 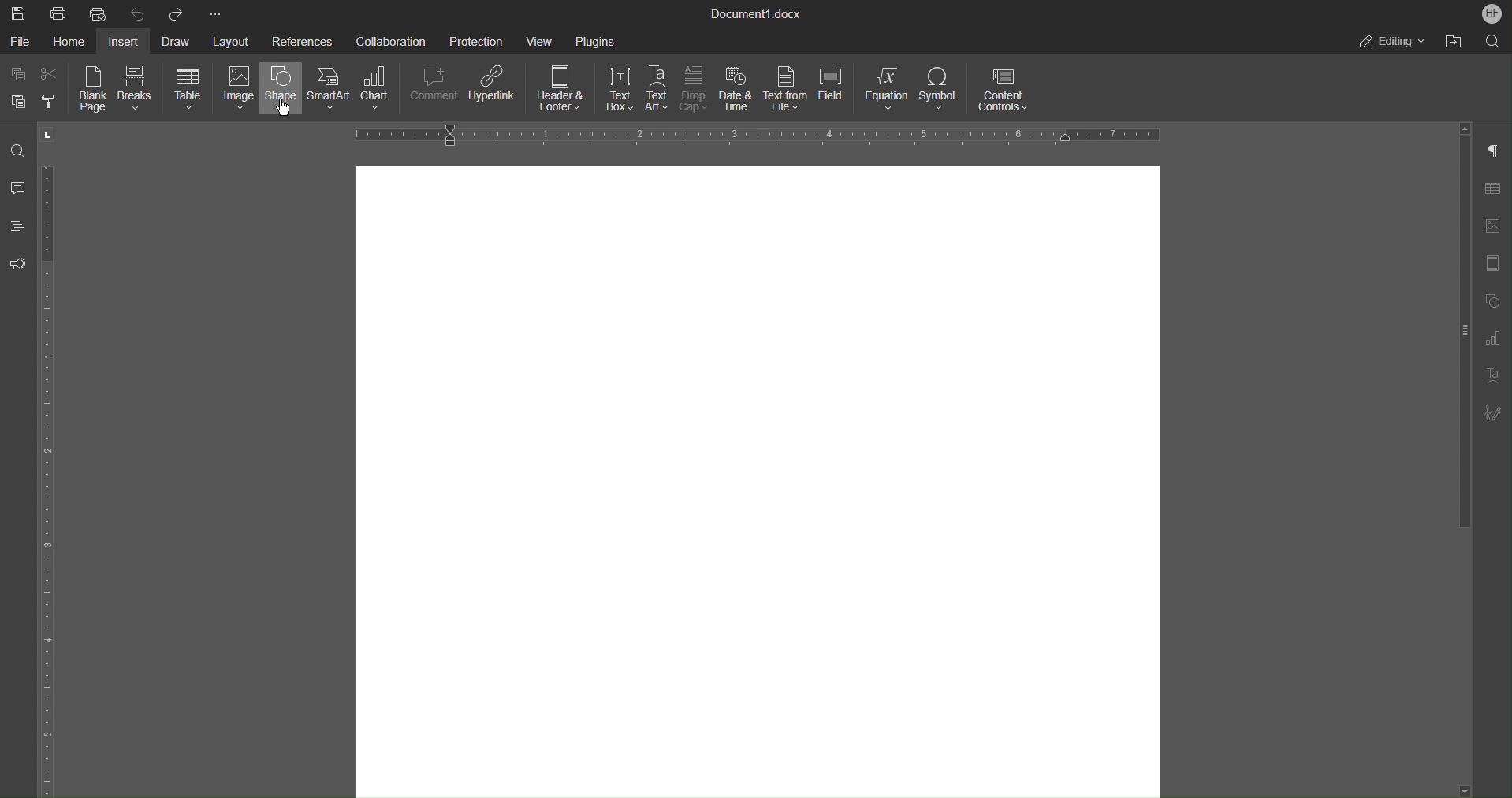 I want to click on Signature, so click(x=1499, y=413).